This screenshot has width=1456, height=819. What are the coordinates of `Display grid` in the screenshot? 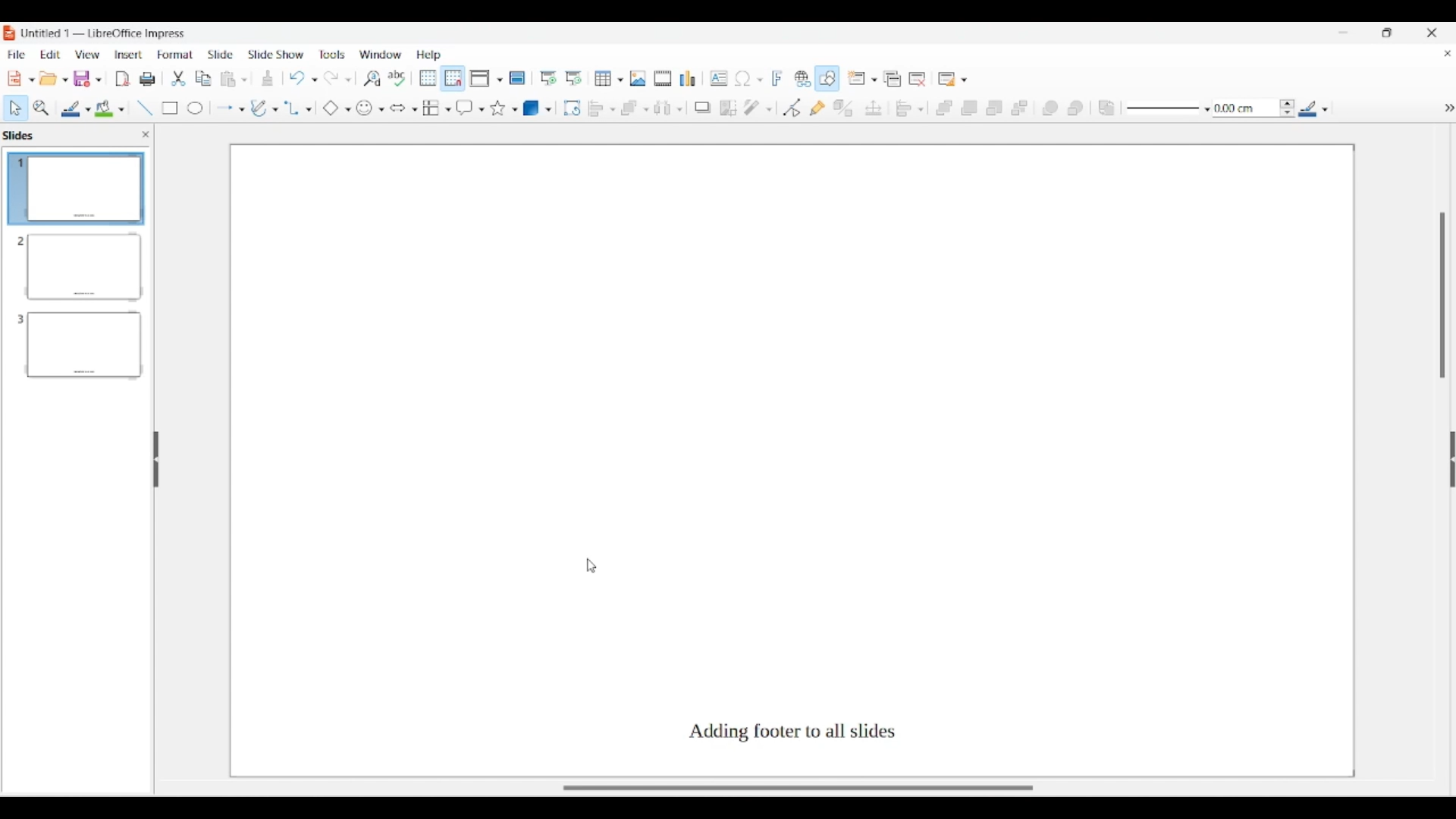 It's located at (428, 78).